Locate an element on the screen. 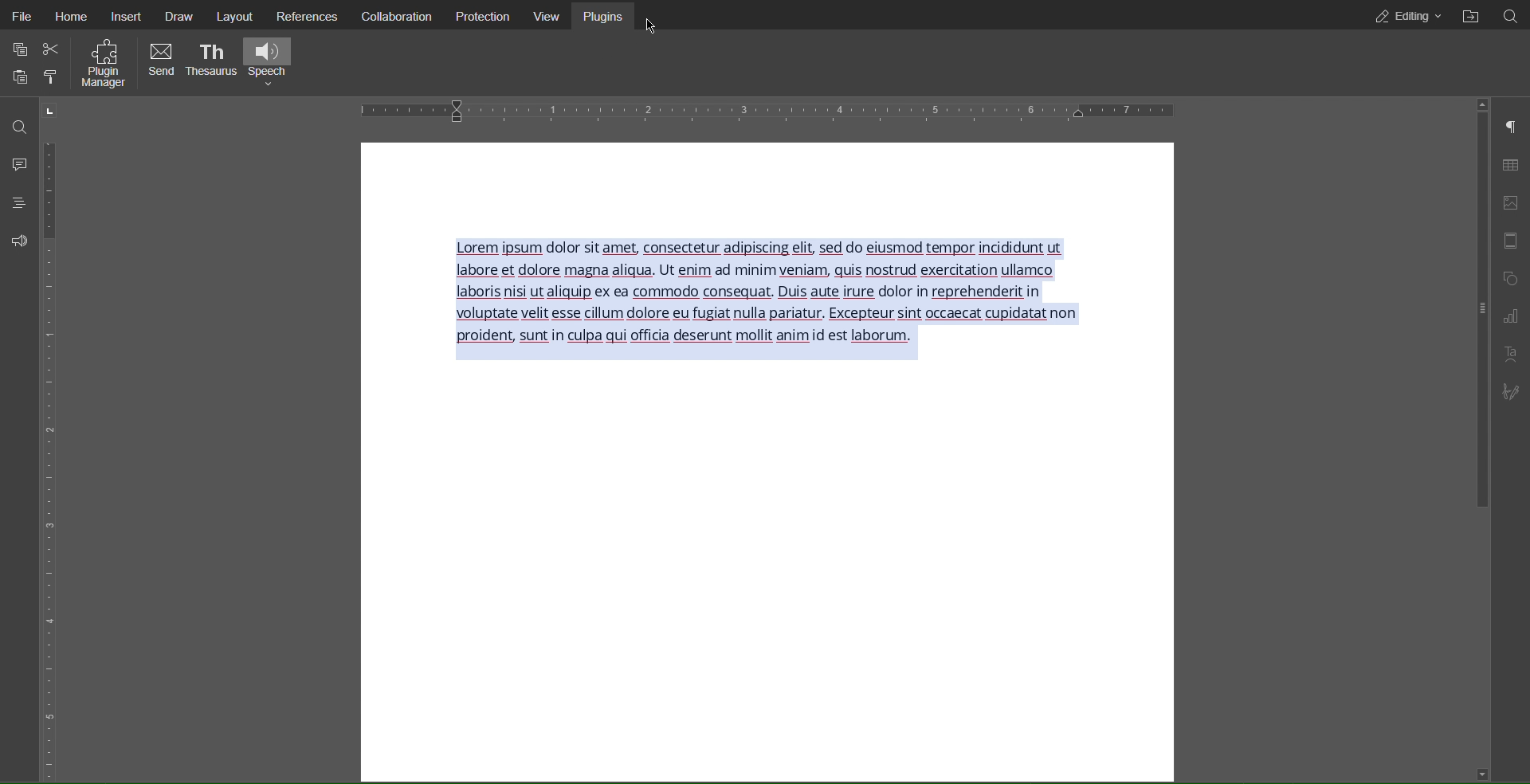 The height and width of the screenshot is (784, 1530). Text Art is located at coordinates (1511, 354).